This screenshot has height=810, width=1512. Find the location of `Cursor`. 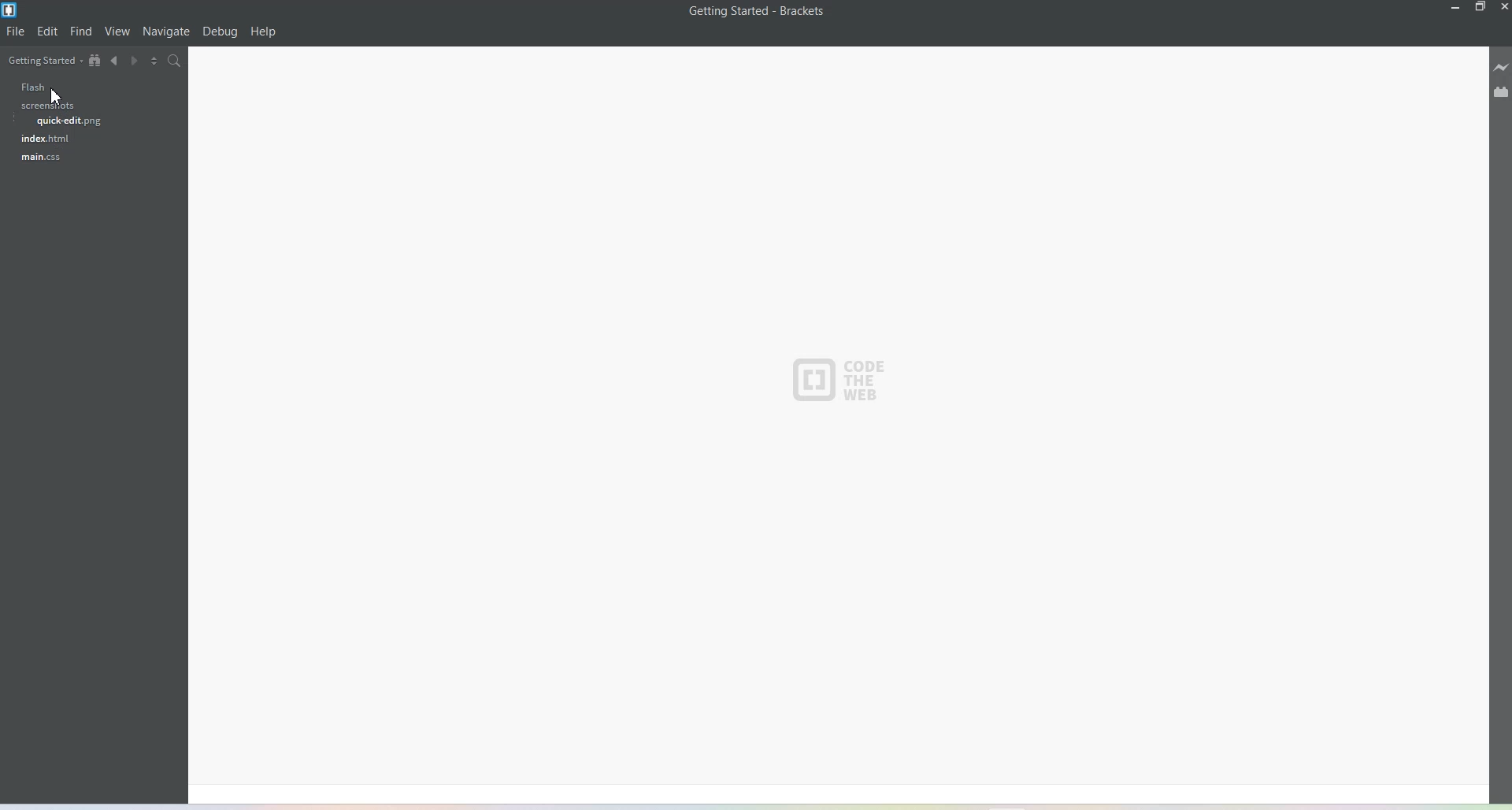

Cursor is located at coordinates (58, 96).